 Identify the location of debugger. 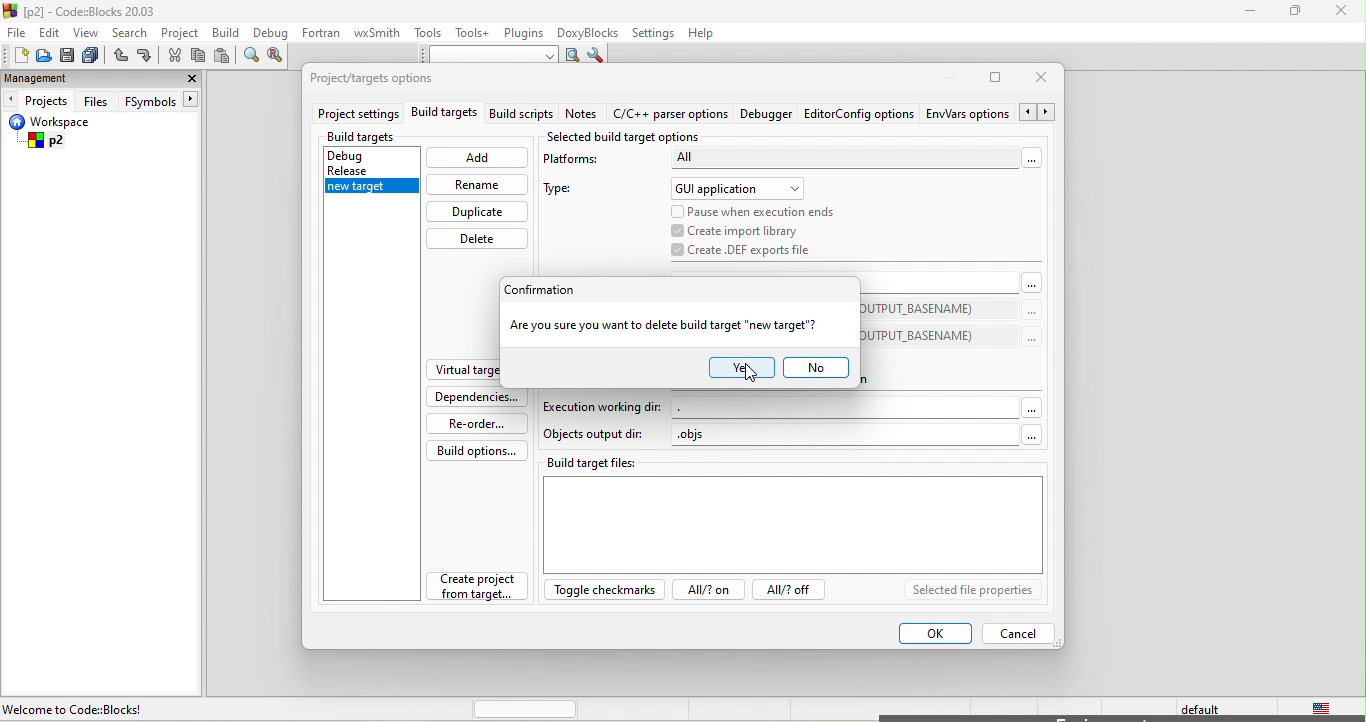
(768, 116).